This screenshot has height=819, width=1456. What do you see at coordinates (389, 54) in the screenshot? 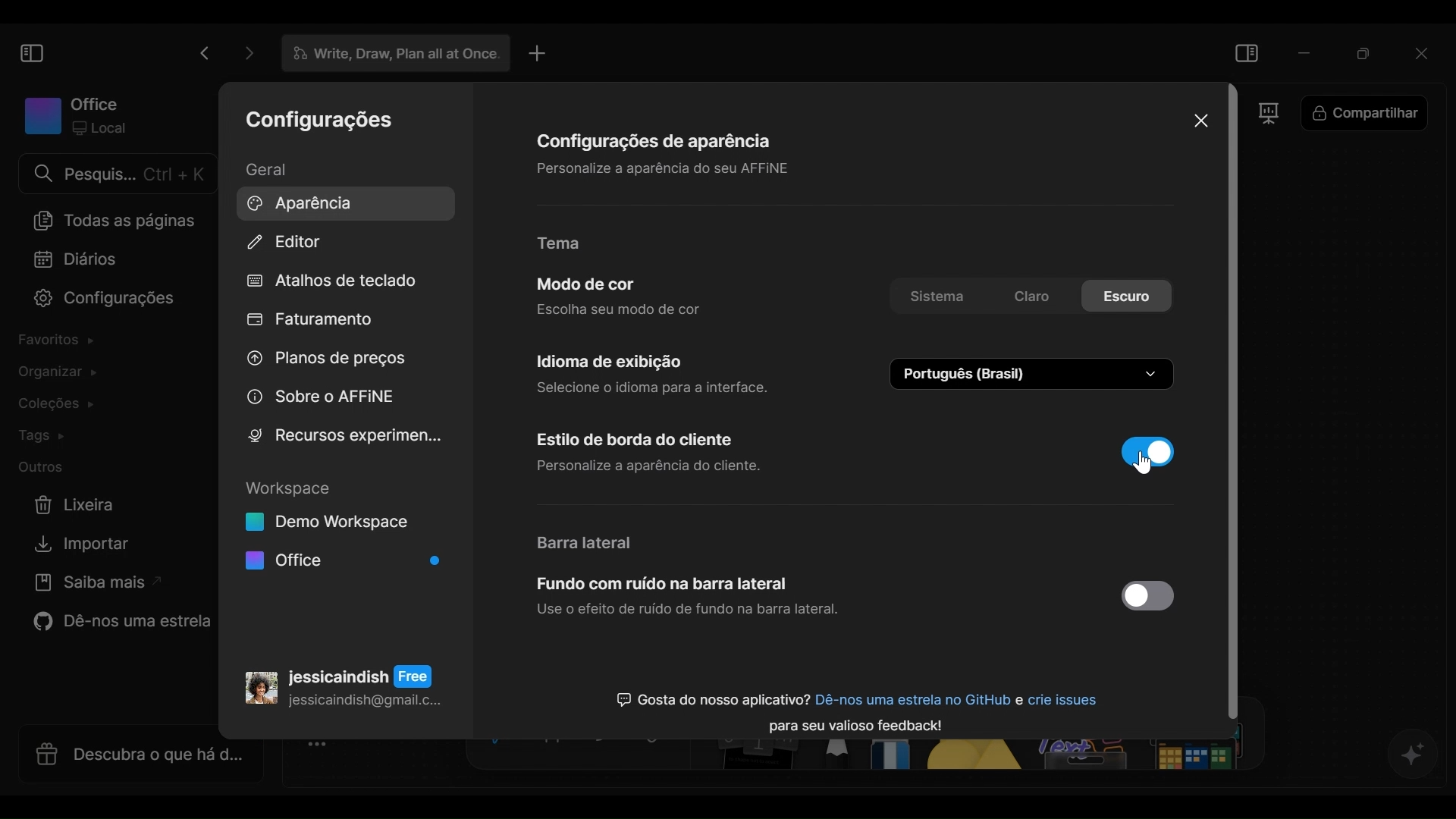
I see `Tab` at bounding box center [389, 54].